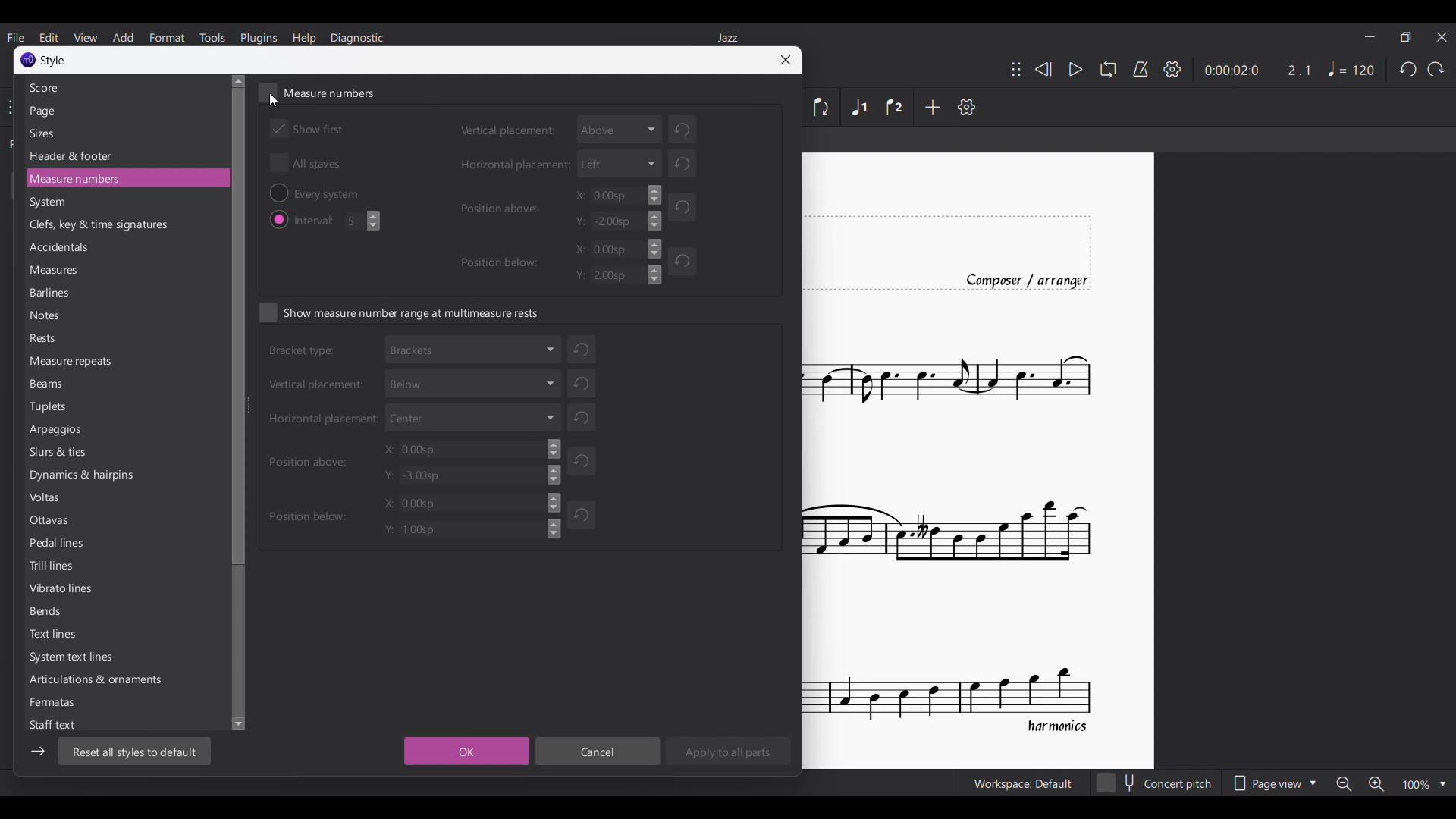 The height and width of the screenshot is (819, 1456). I want to click on Rets, so click(47, 339).